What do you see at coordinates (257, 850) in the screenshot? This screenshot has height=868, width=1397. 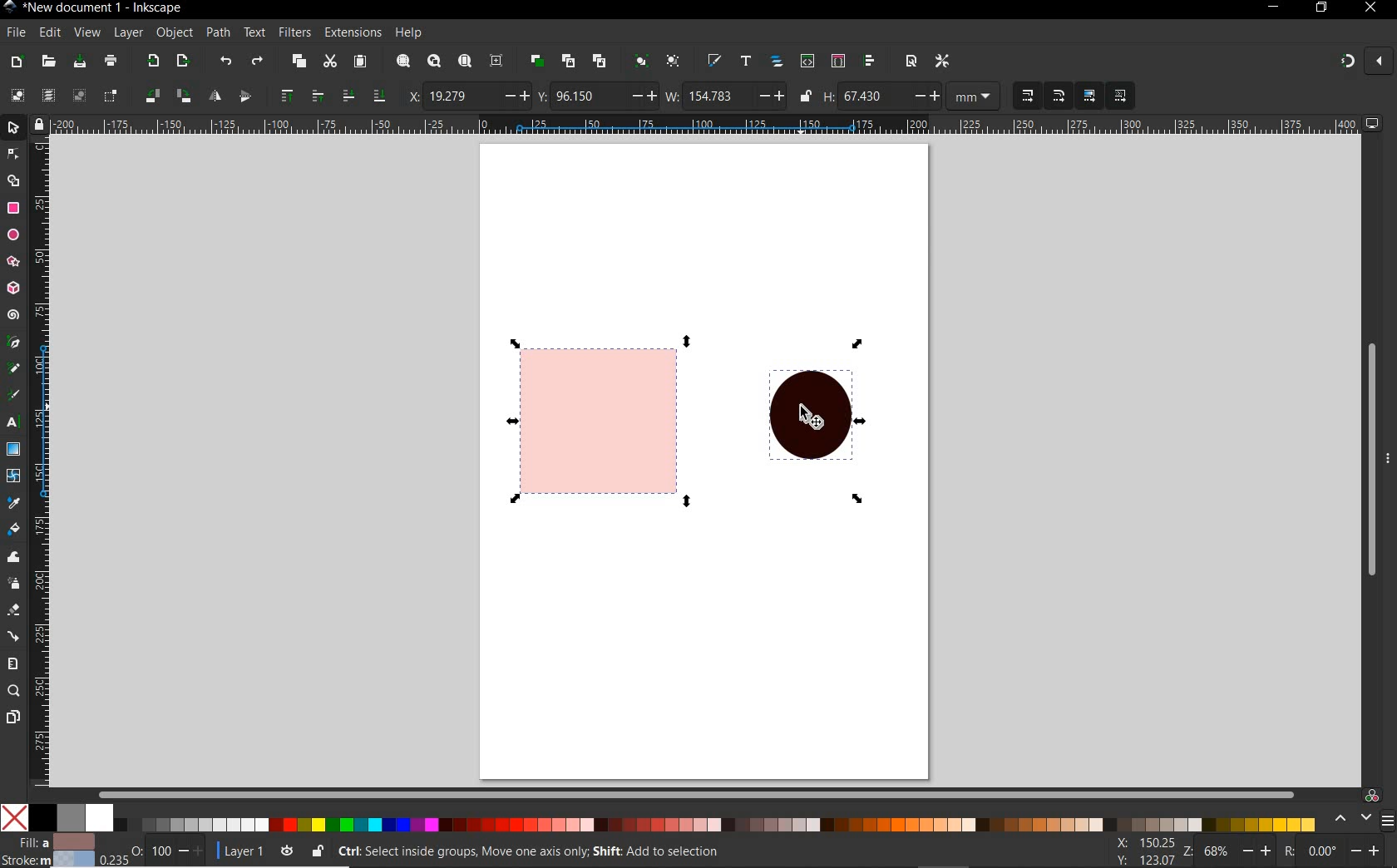 I see `layer 1` at bounding box center [257, 850].